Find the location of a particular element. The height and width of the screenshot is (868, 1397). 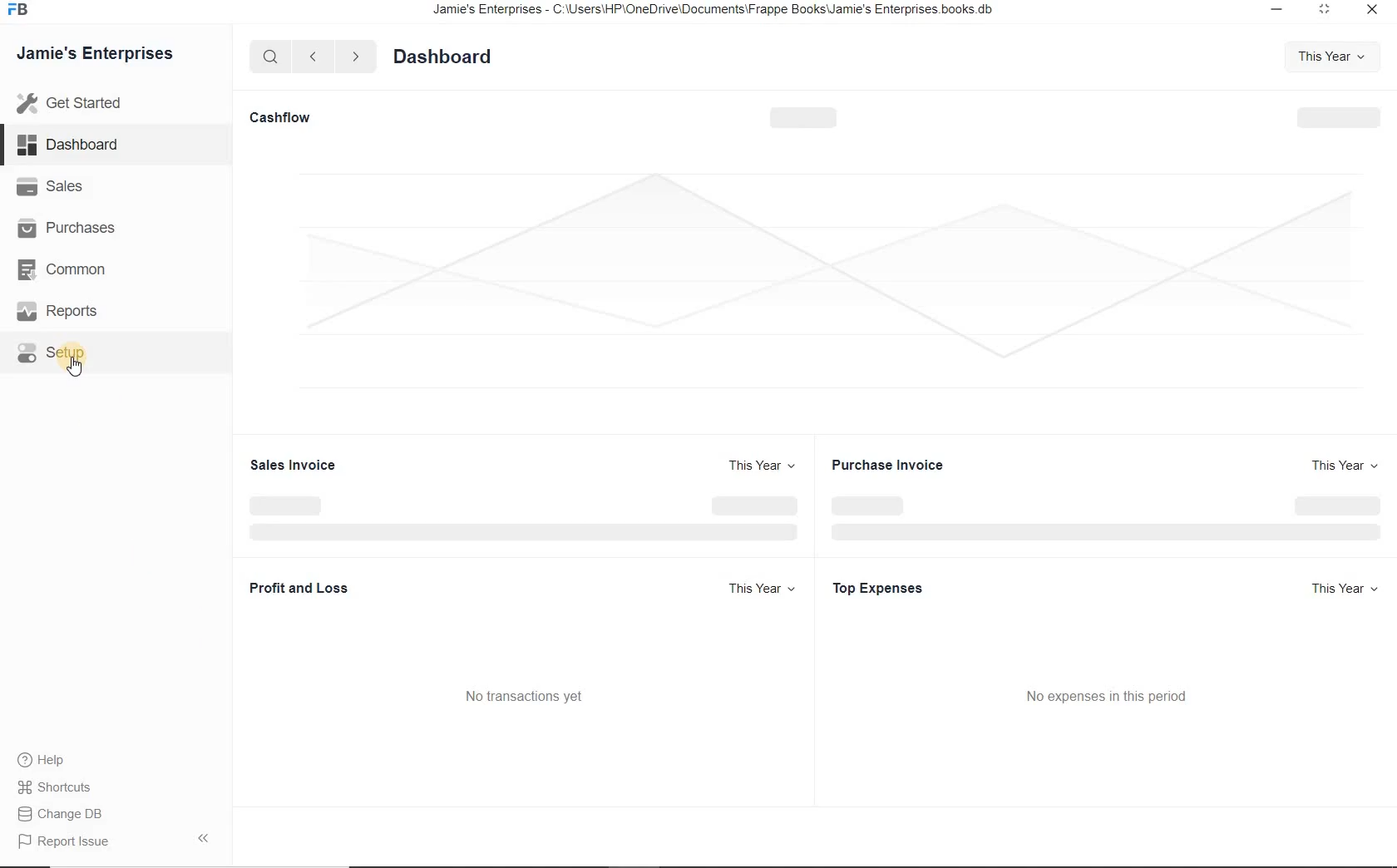

Dashboard is located at coordinates (86, 146).